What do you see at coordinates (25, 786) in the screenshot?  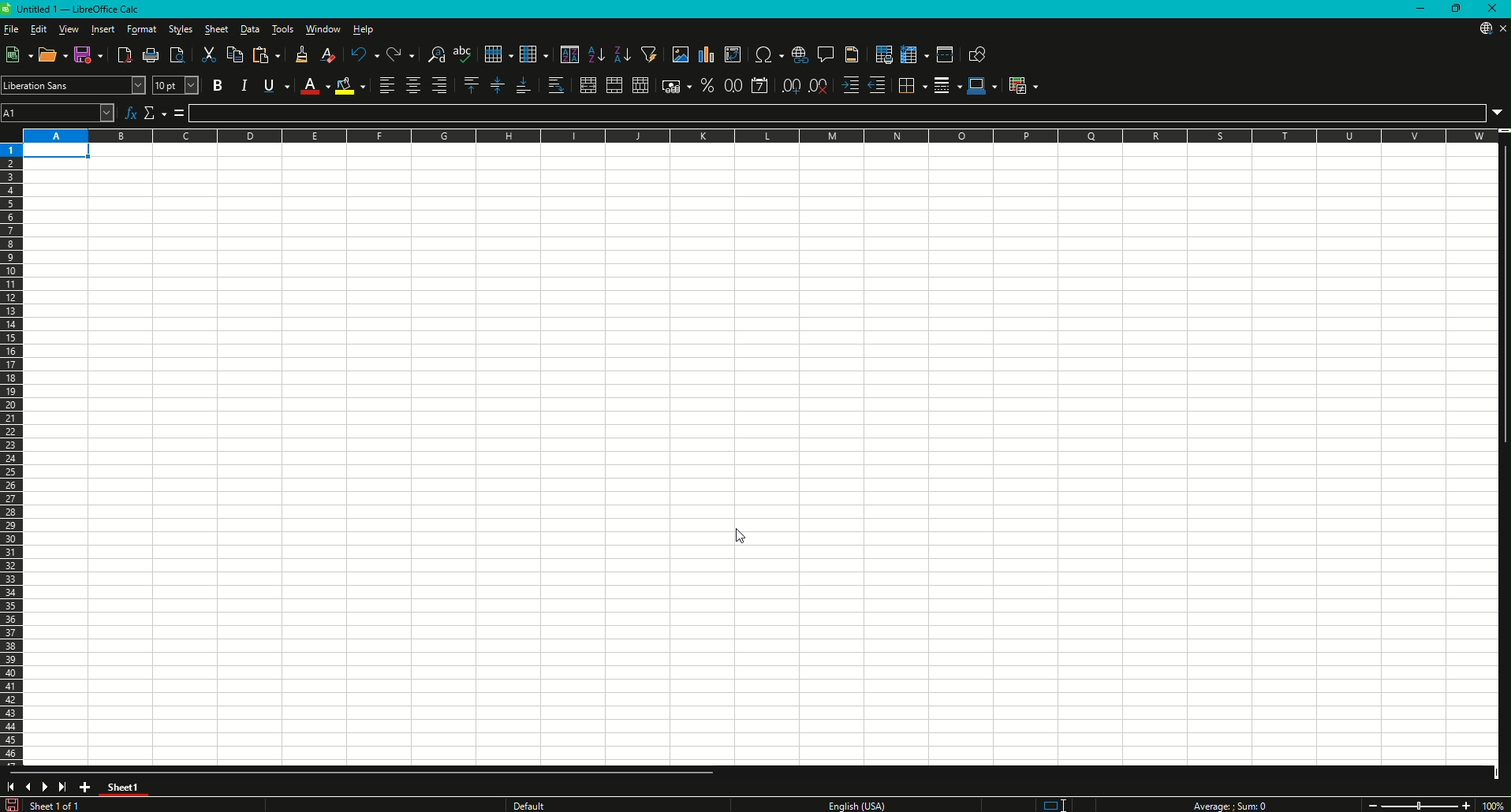 I see `Previous slide` at bounding box center [25, 786].